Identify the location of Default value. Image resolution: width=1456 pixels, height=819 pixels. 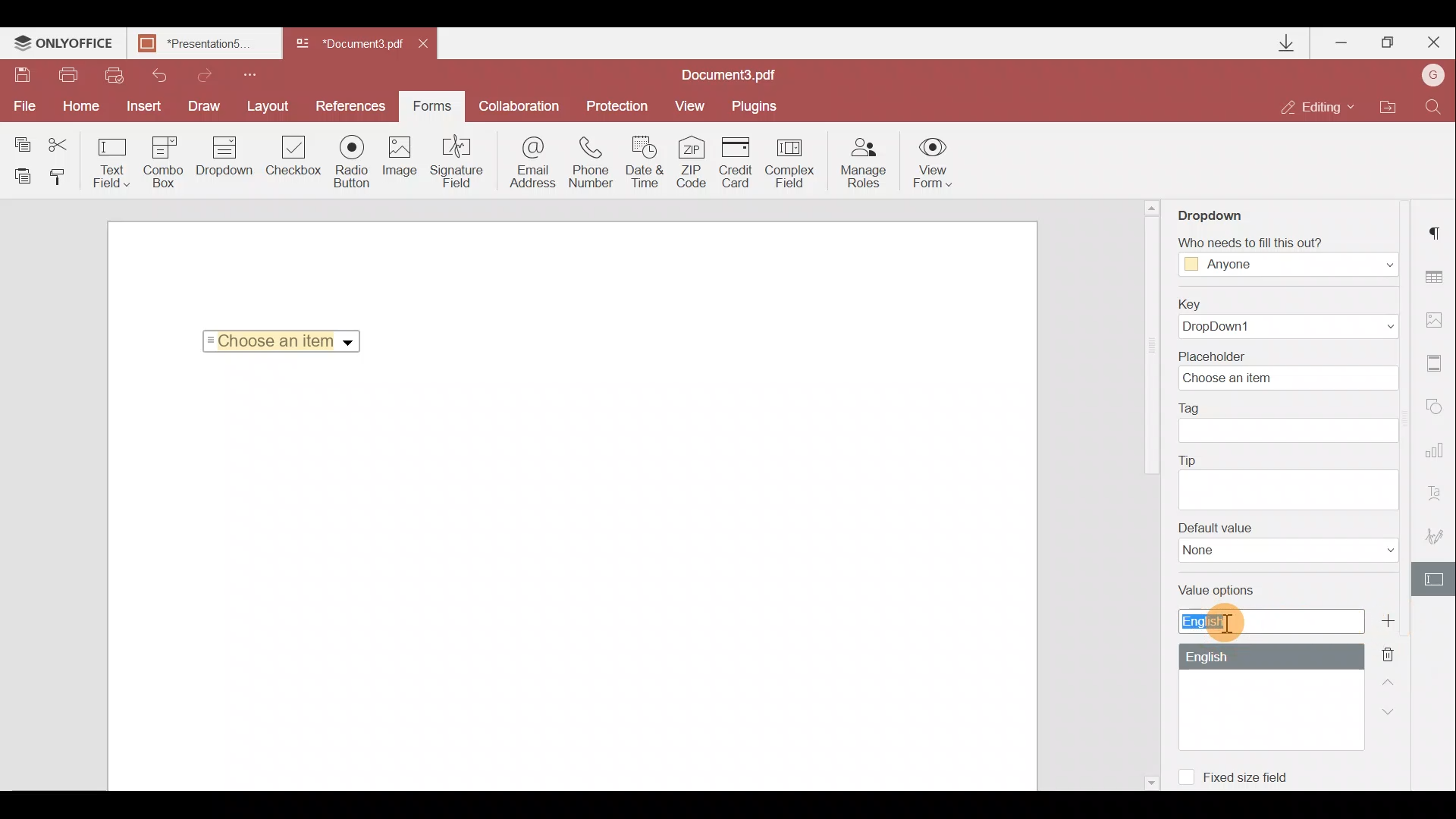
(1288, 542).